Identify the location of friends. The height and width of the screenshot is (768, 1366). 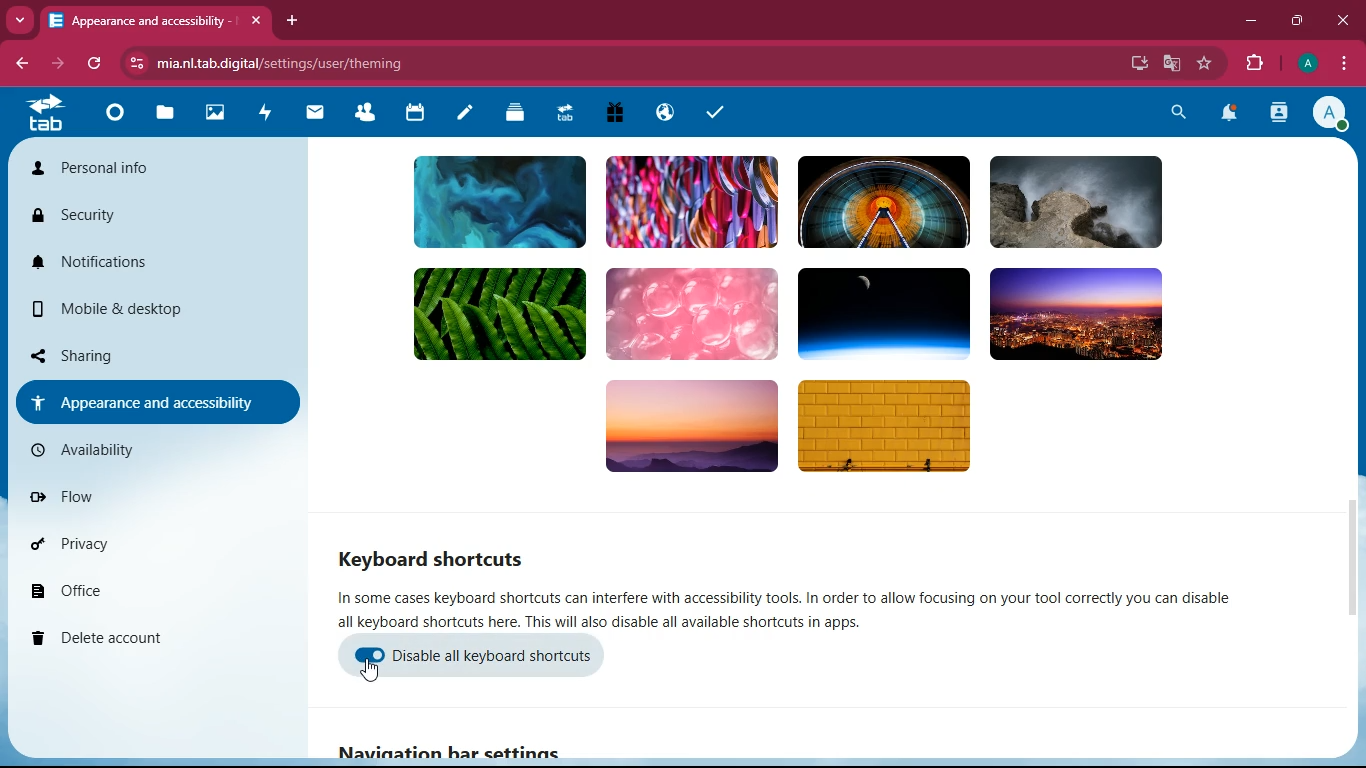
(363, 116).